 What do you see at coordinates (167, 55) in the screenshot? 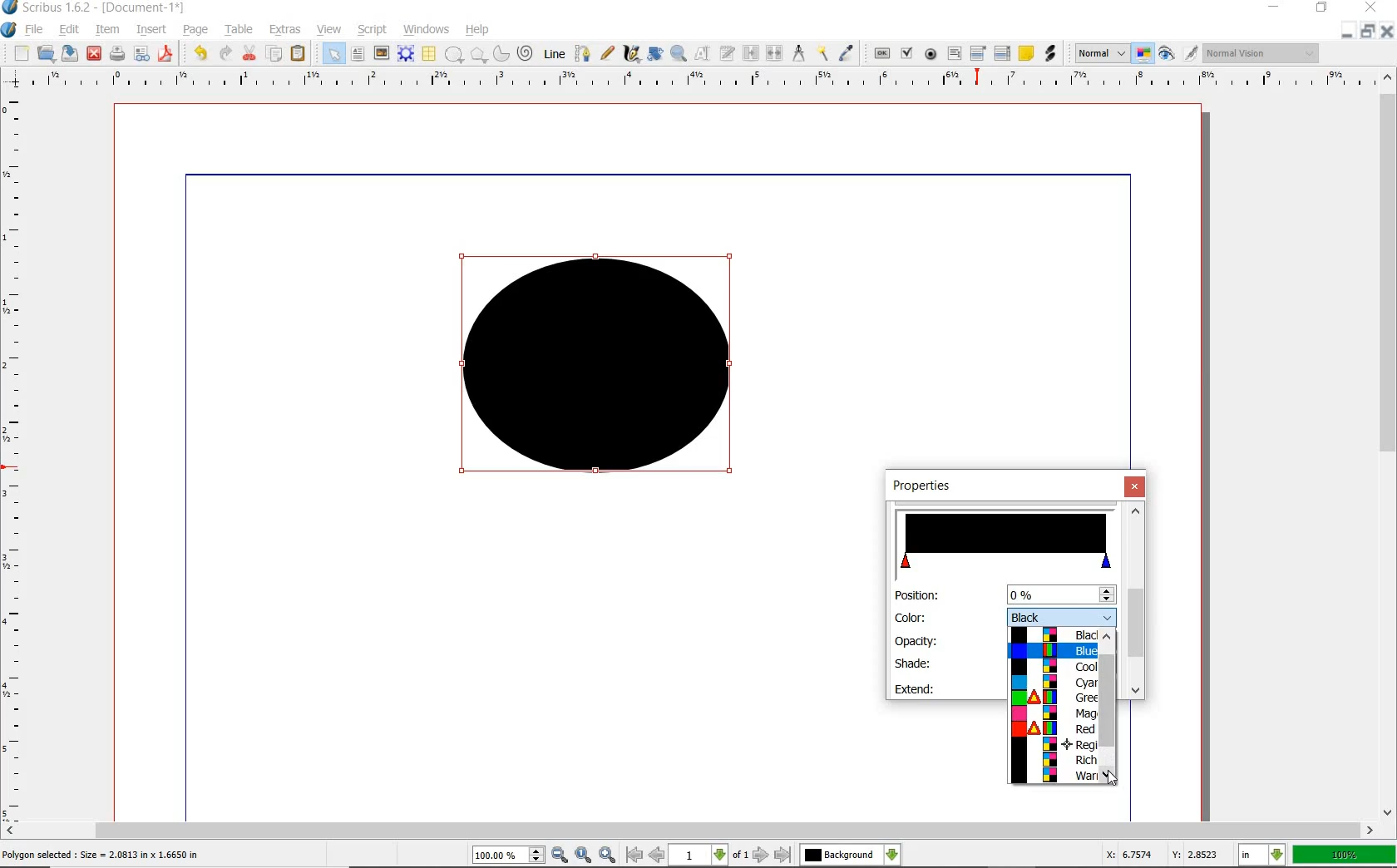
I see `SAVE AS PDF` at bounding box center [167, 55].